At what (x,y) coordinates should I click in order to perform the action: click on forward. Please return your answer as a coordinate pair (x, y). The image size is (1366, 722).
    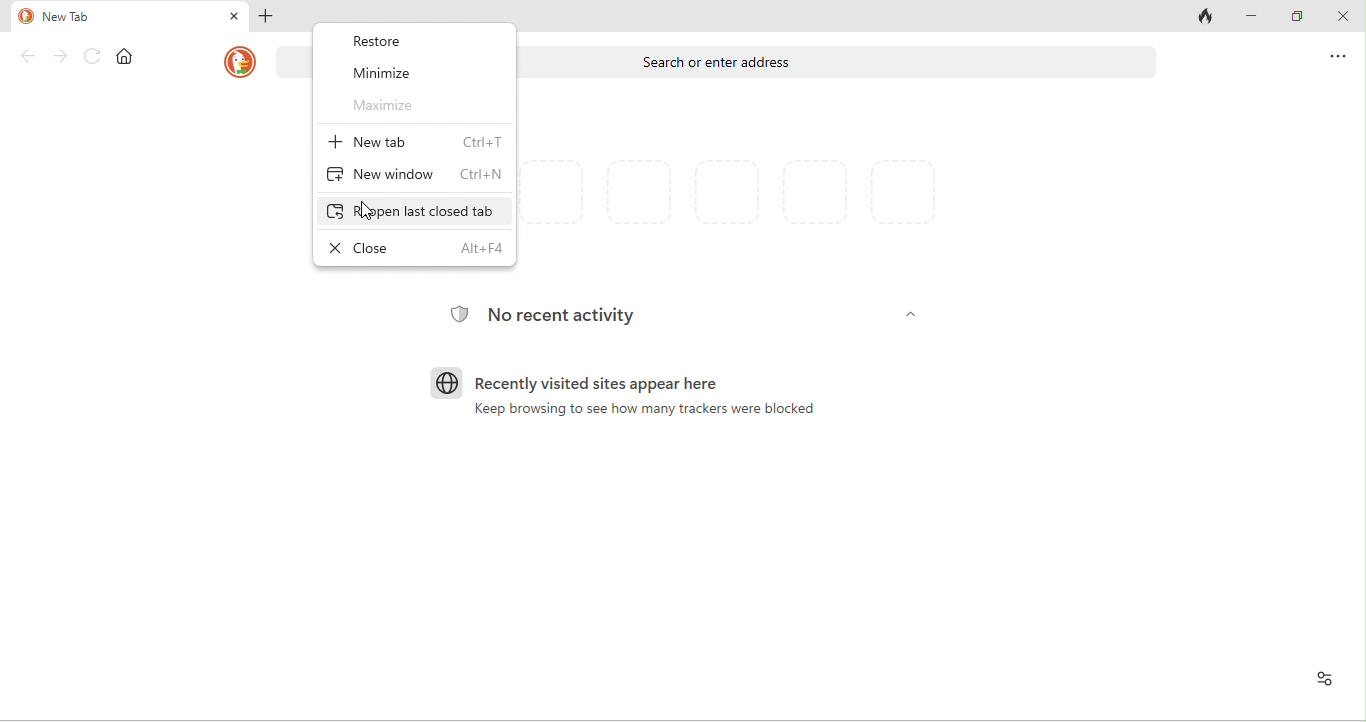
    Looking at the image, I should click on (60, 57).